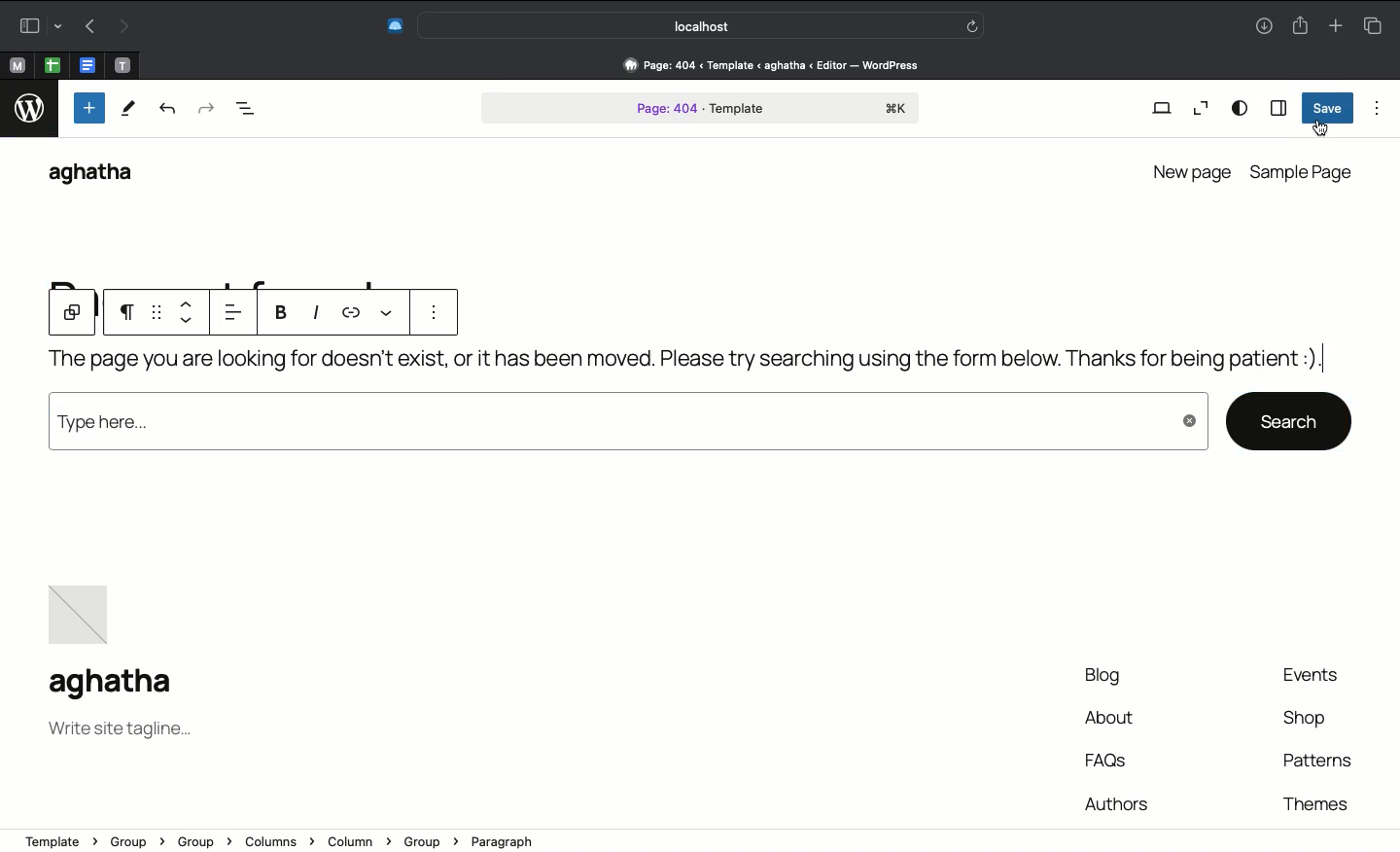 Image resolution: width=1400 pixels, height=852 pixels. Describe the element at coordinates (1189, 169) in the screenshot. I see `New page` at that location.